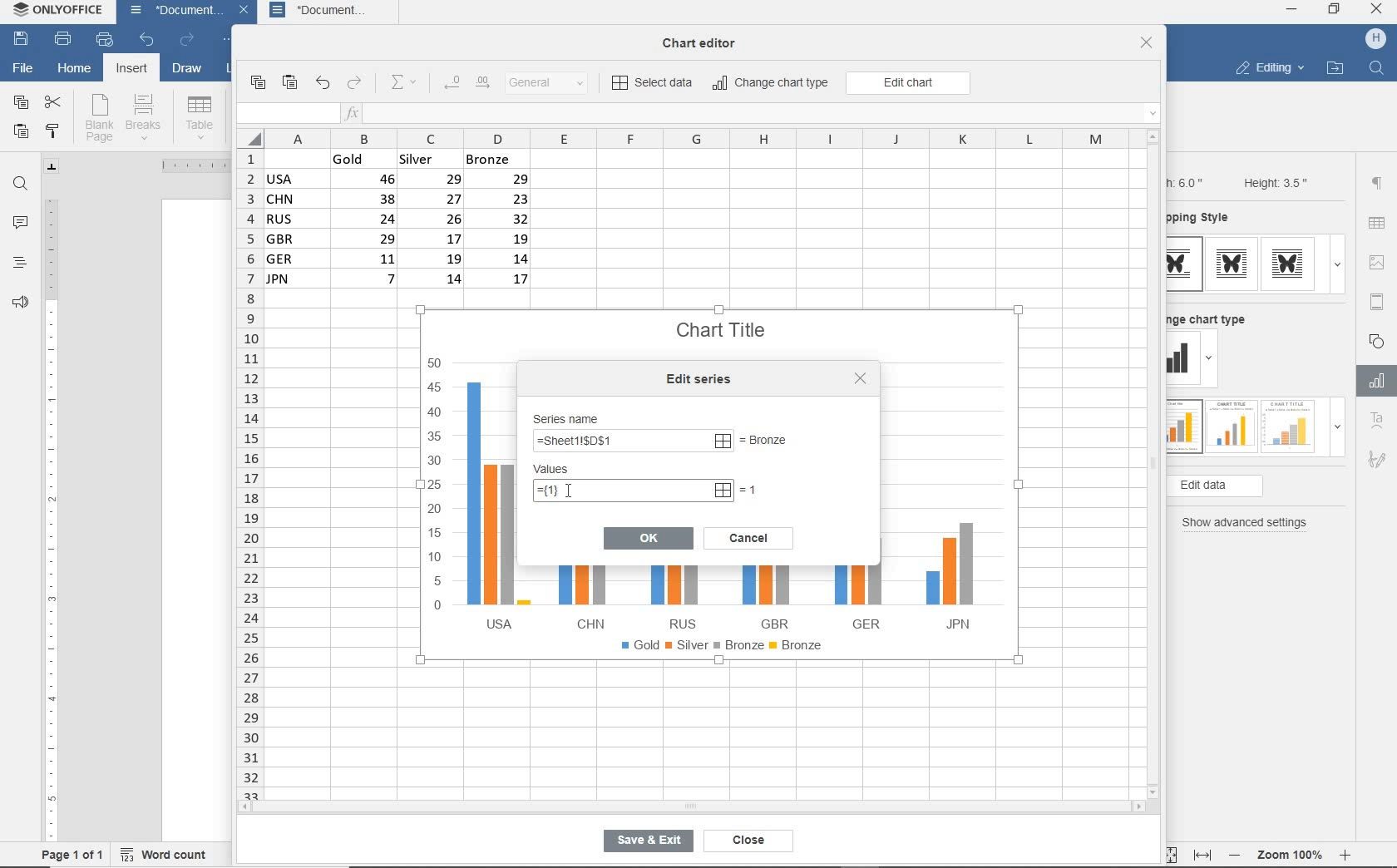  Describe the element at coordinates (436, 486) in the screenshot. I see `y axis values` at that location.